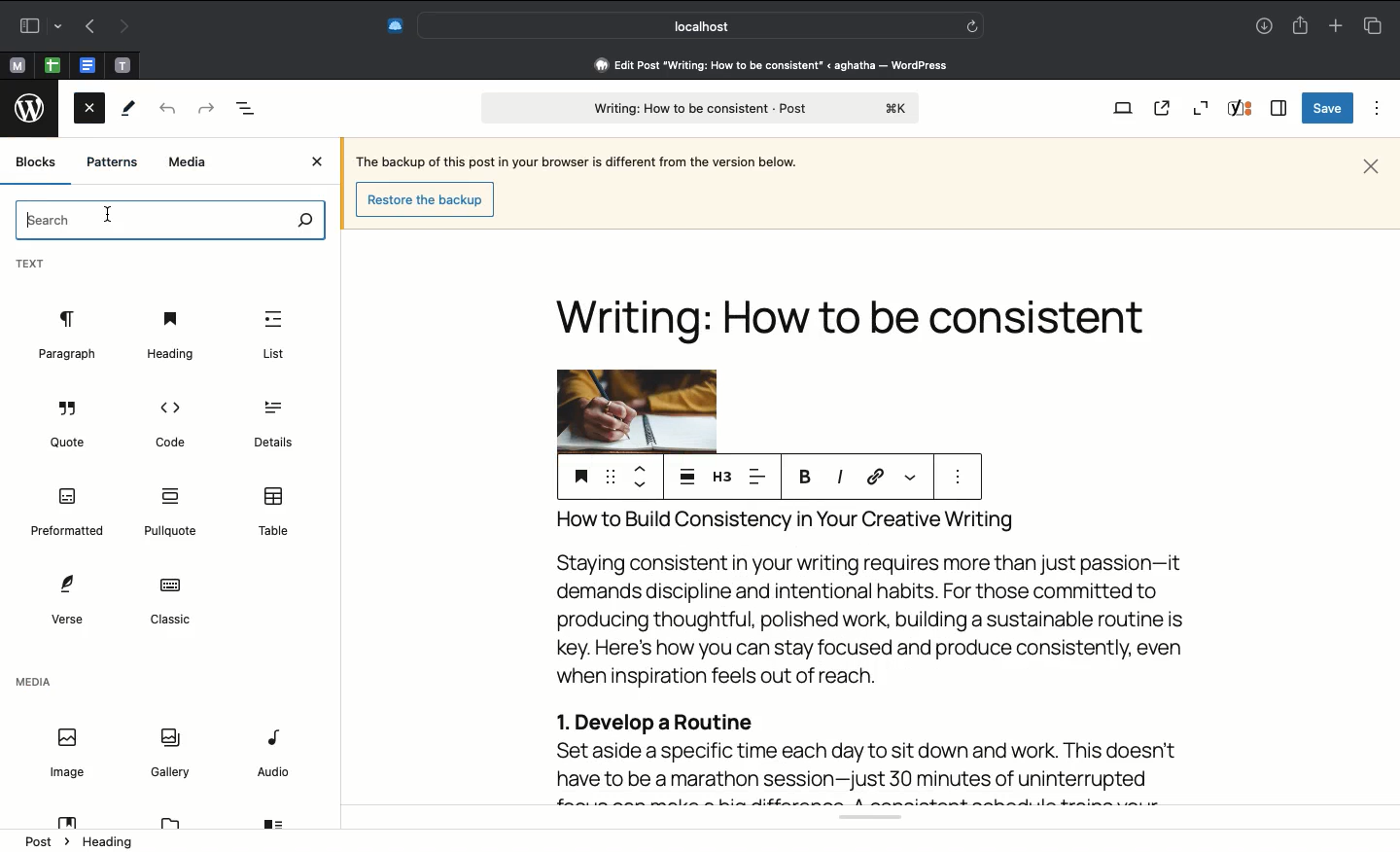 The height and width of the screenshot is (852, 1400). Describe the element at coordinates (1204, 106) in the screenshot. I see `Zoom out` at that location.